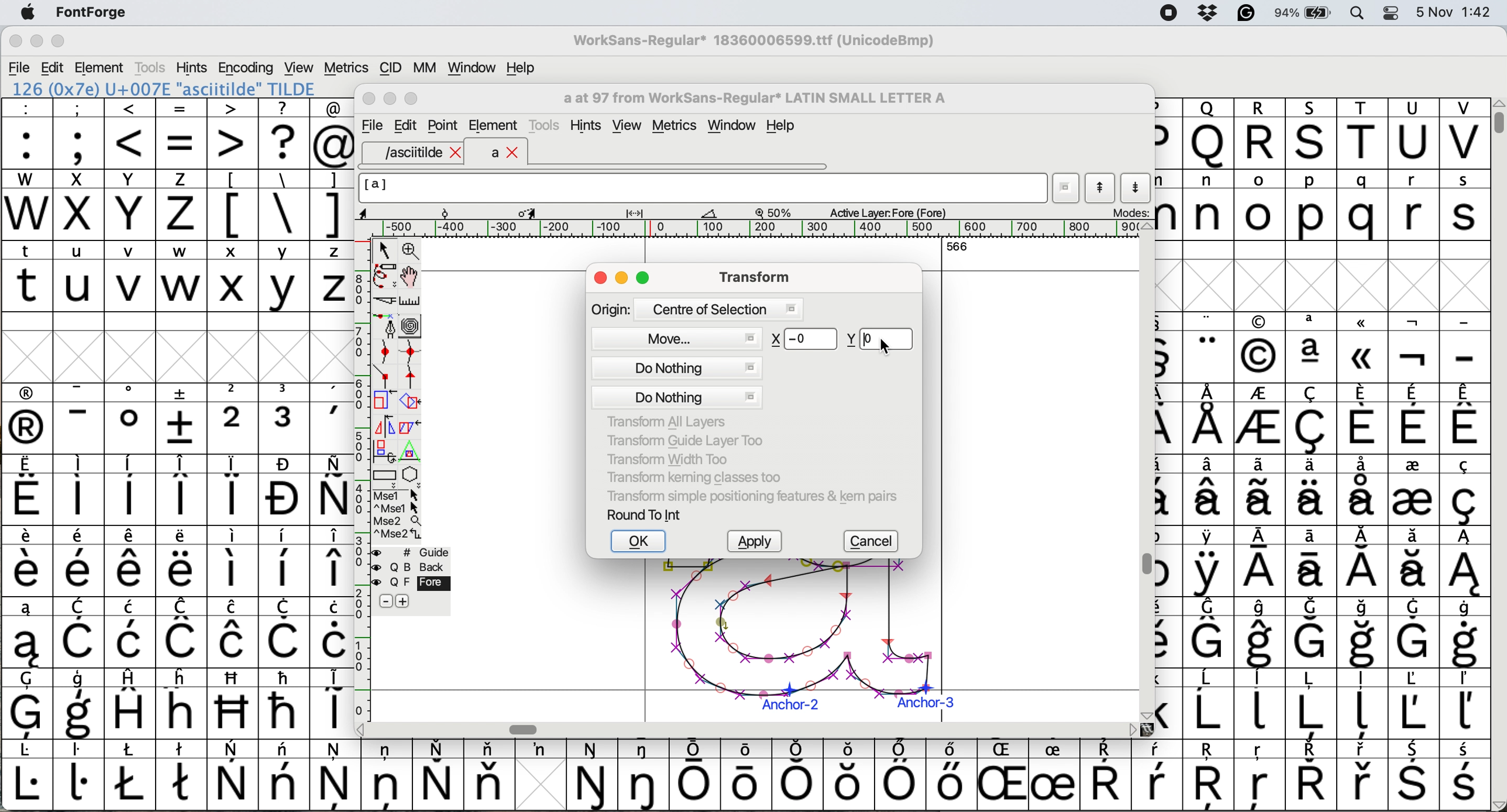  Describe the element at coordinates (414, 352) in the screenshot. I see `add a curve point vertically or horizontally` at that location.